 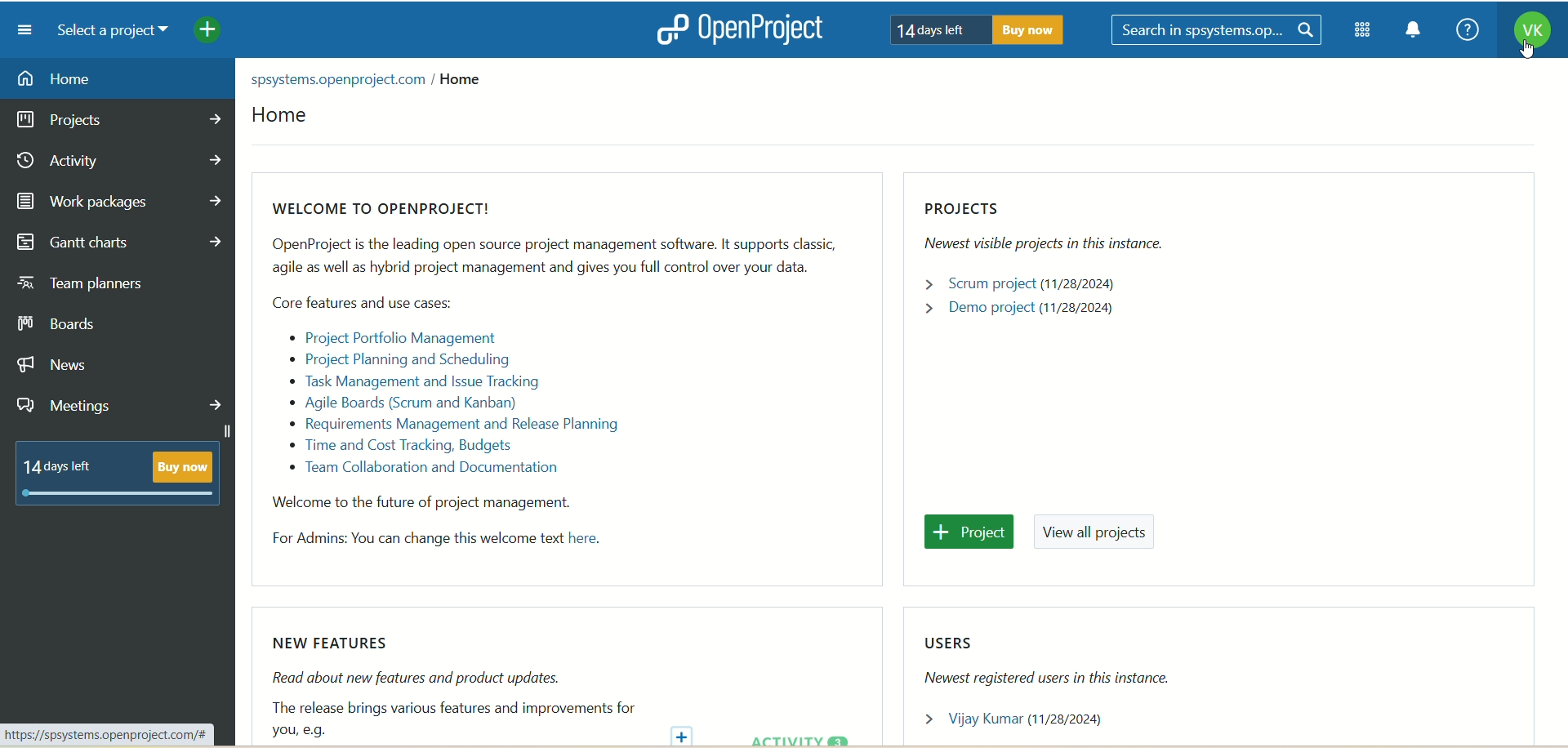 What do you see at coordinates (118, 162) in the screenshot?
I see `activity` at bounding box center [118, 162].